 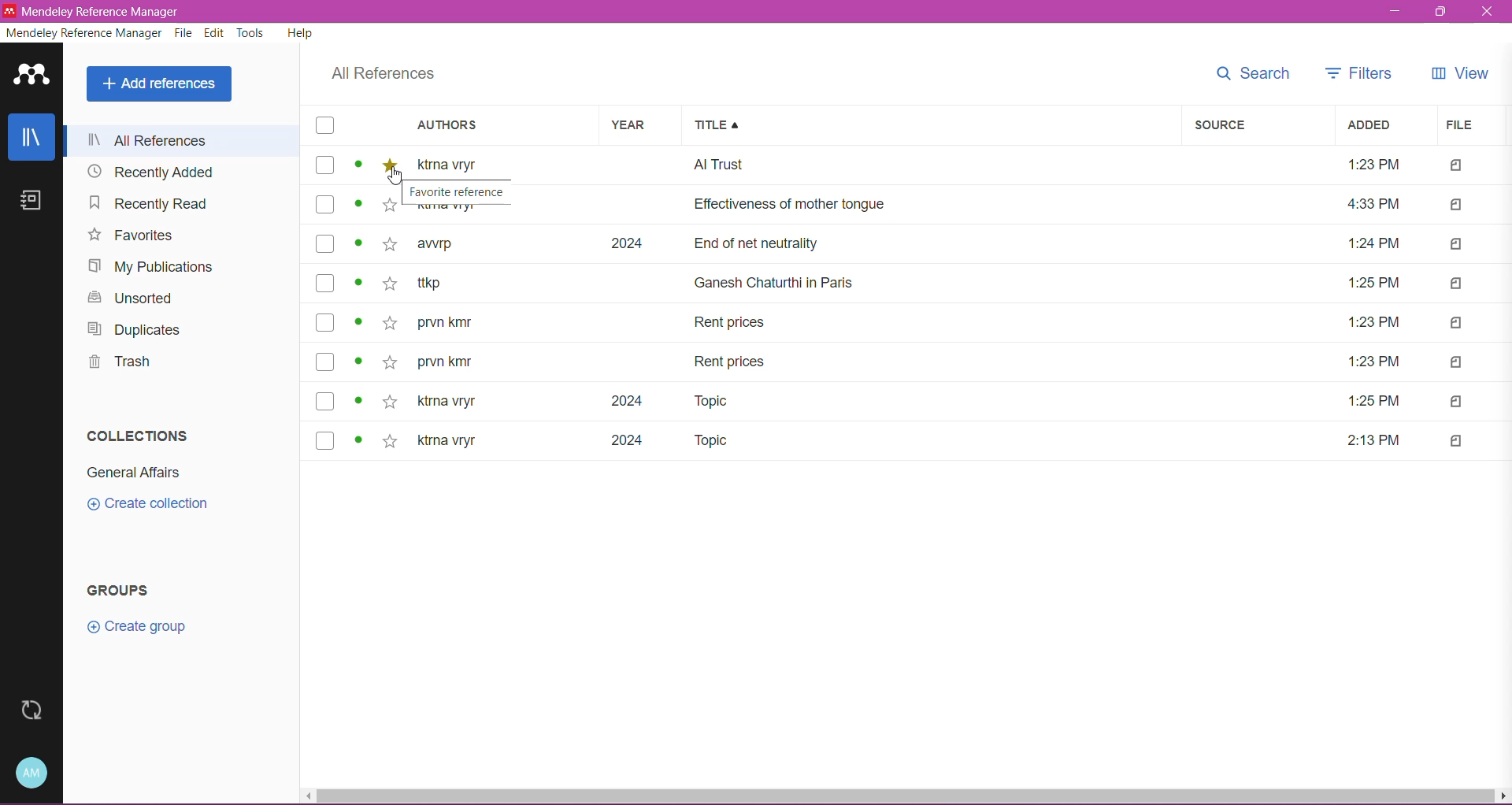 What do you see at coordinates (389, 165) in the screenshot?
I see `Toggle on for add to favorite` at bounding box center [389, 165].